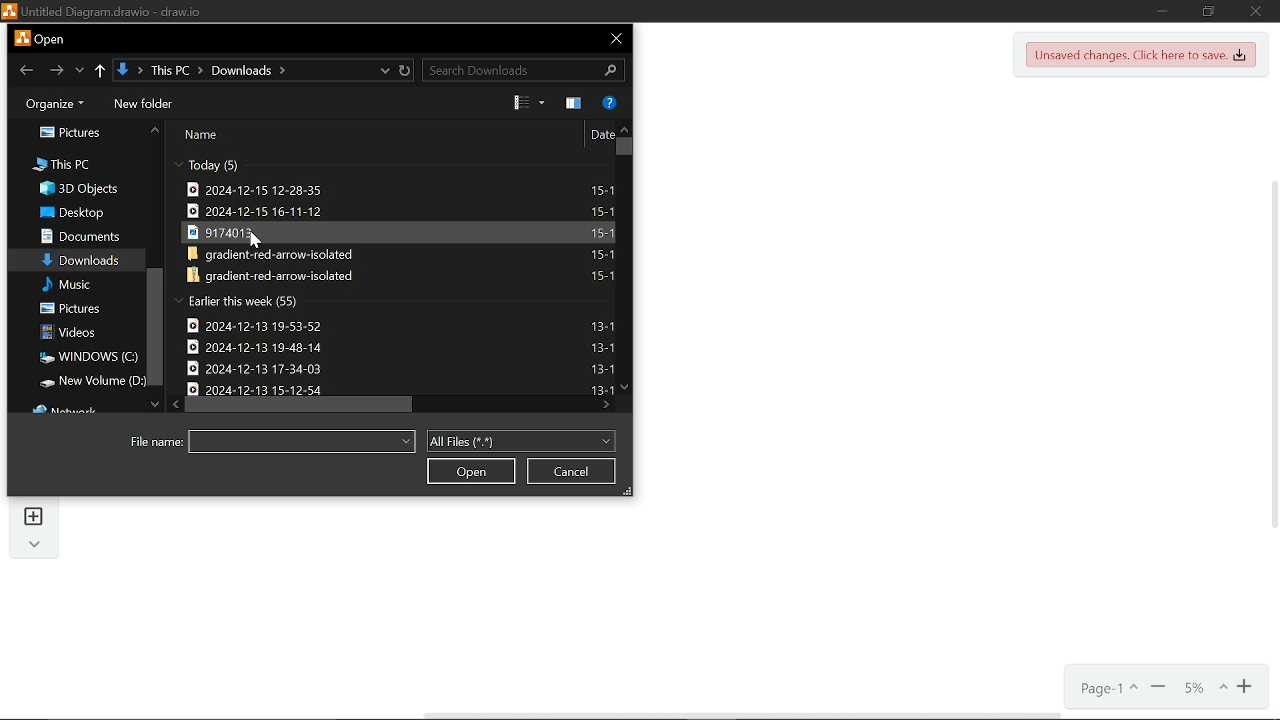 This screenshot has height=720, width=1280. Describe the element at coordinates (299, 405) in the screenshot. I see `Horizontal scrollbar` at that location.